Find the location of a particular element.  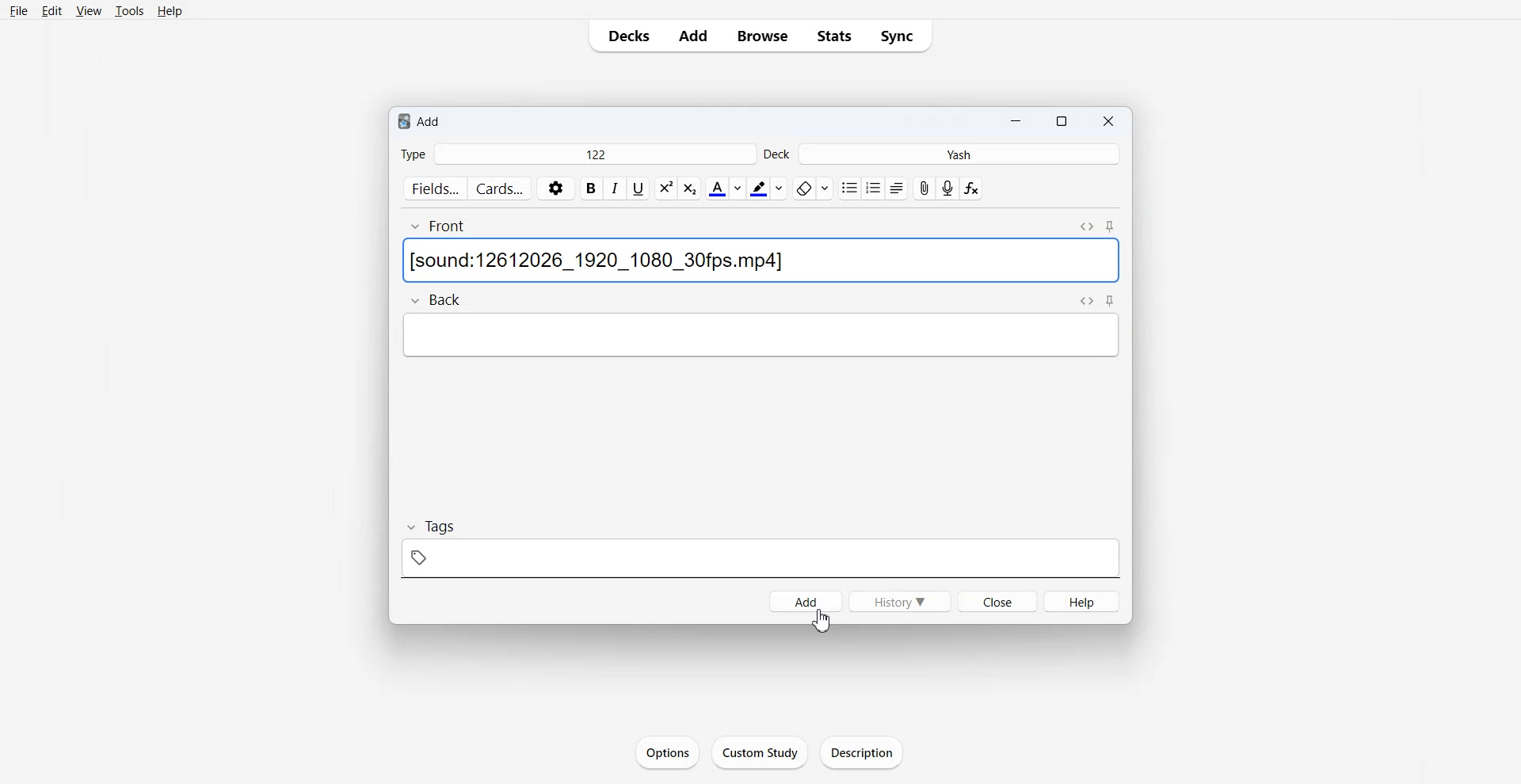

Superscript is located at coordinates (691, 189).